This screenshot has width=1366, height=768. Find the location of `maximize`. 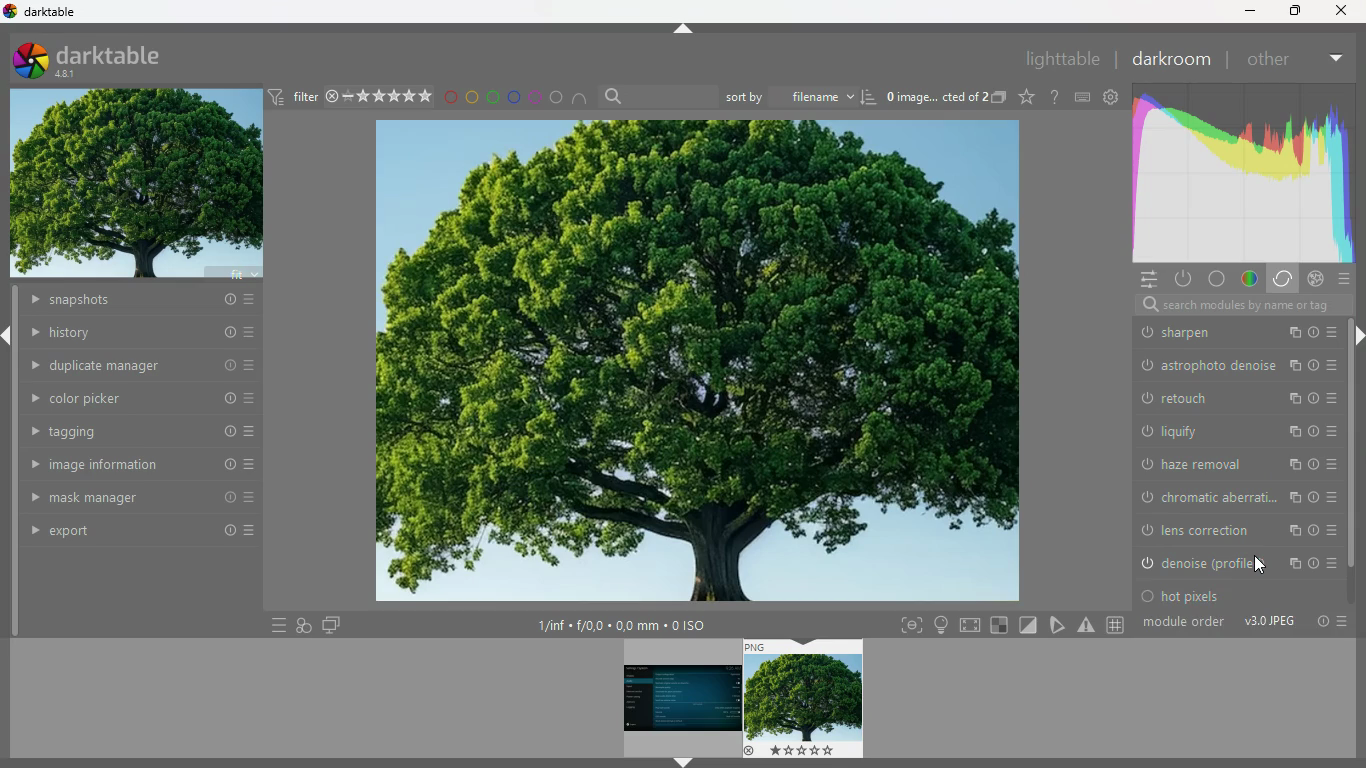

maximize is located at coordinates (1293, 11).